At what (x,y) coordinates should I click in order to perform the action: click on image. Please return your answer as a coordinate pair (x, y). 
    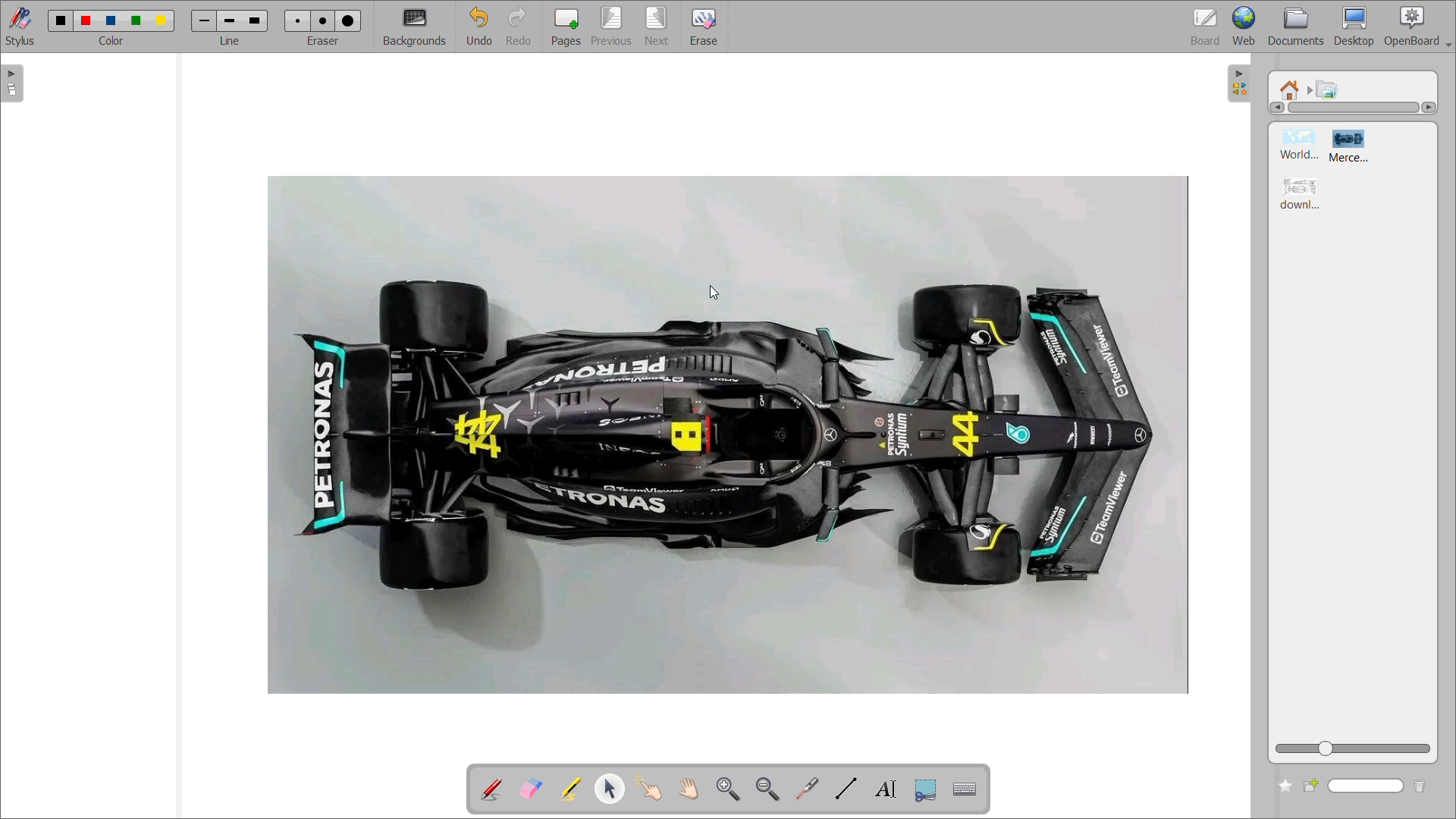
    Looking at the image, I should click on (727, 434).